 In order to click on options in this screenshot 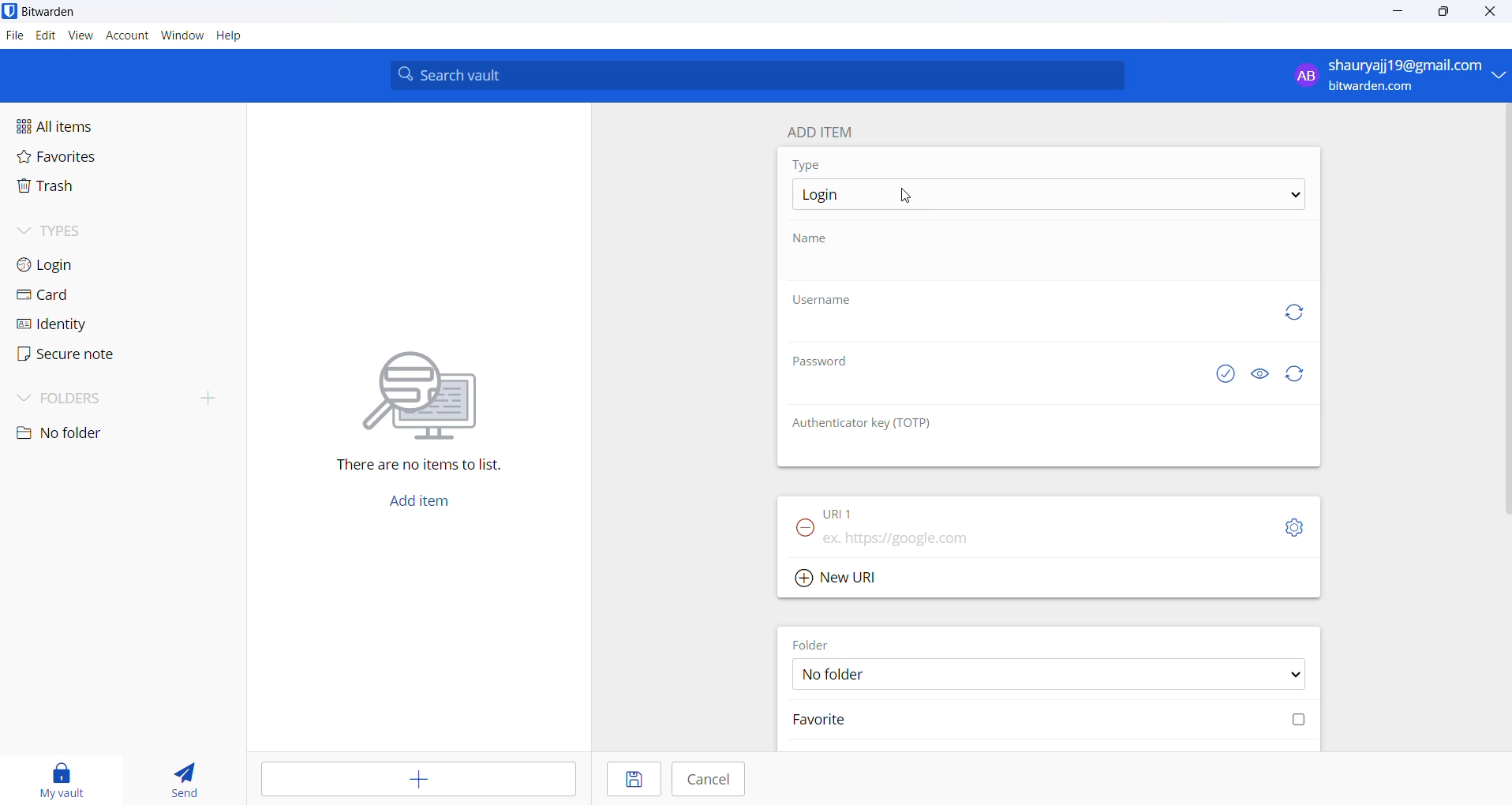, I will do `click(1046, 197)`.